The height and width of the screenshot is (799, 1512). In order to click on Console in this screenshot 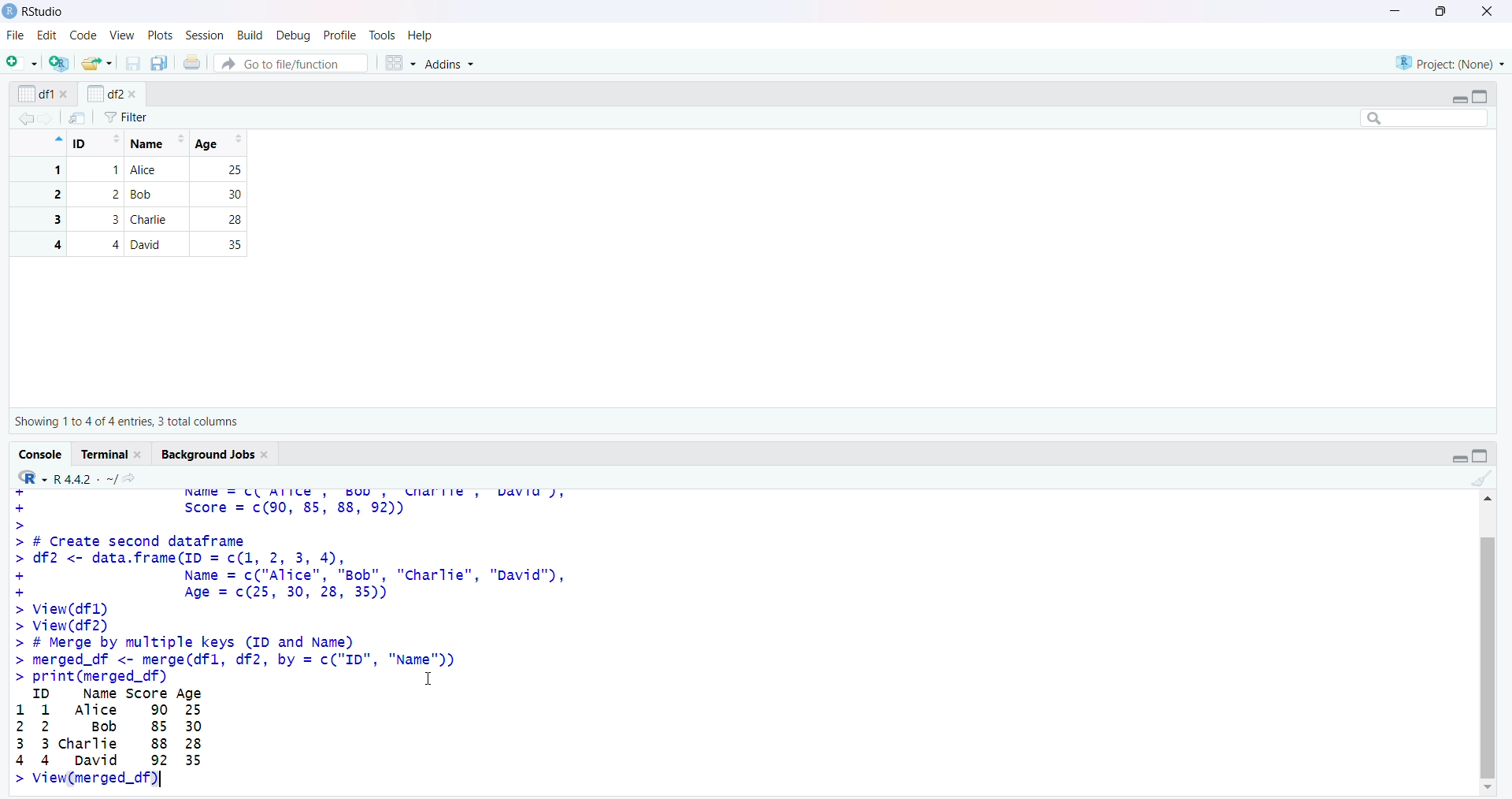, I will do `click(42, 455)`.